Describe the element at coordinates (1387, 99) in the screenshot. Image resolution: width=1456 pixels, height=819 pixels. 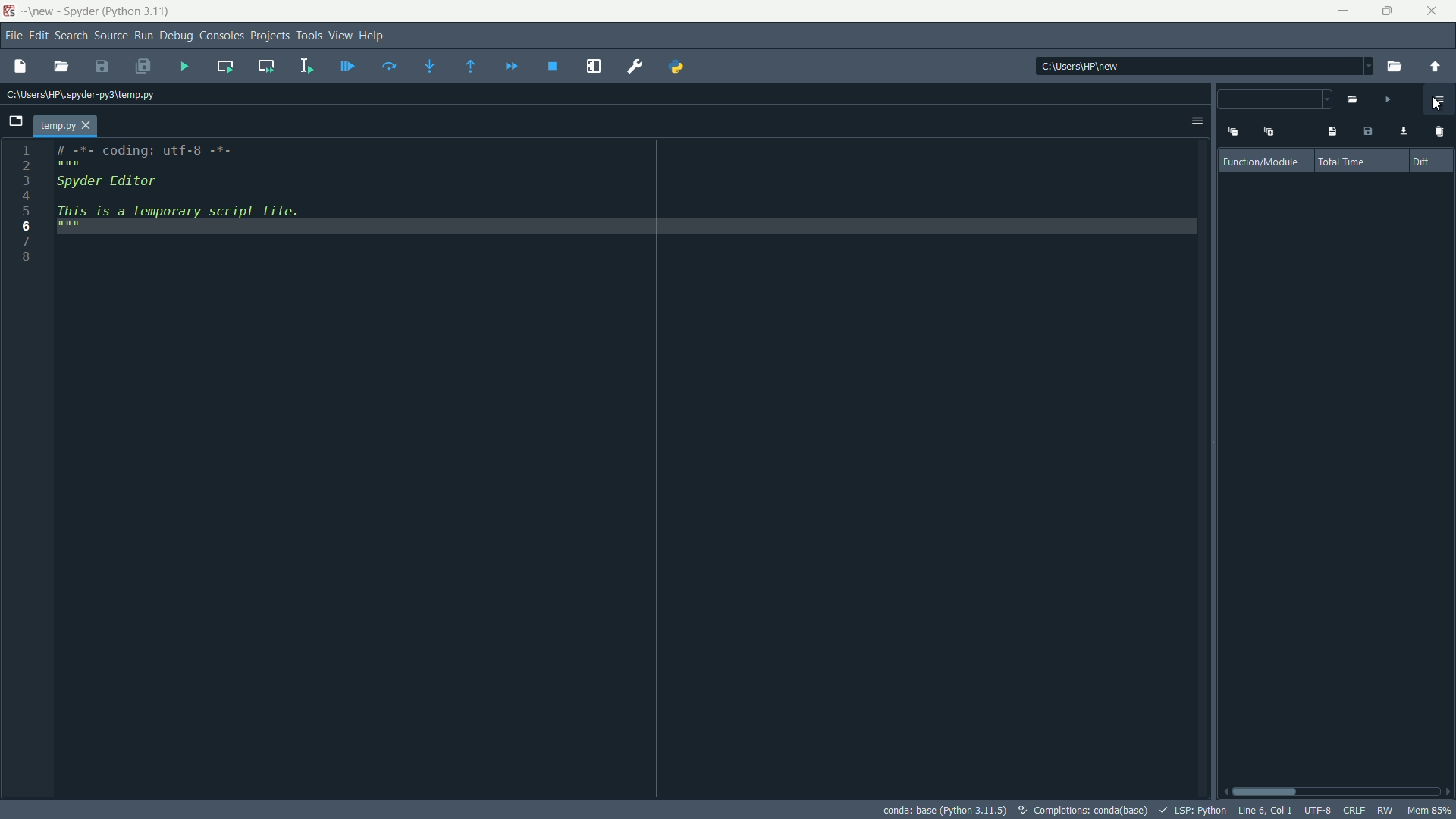
I see `run file` at that location.